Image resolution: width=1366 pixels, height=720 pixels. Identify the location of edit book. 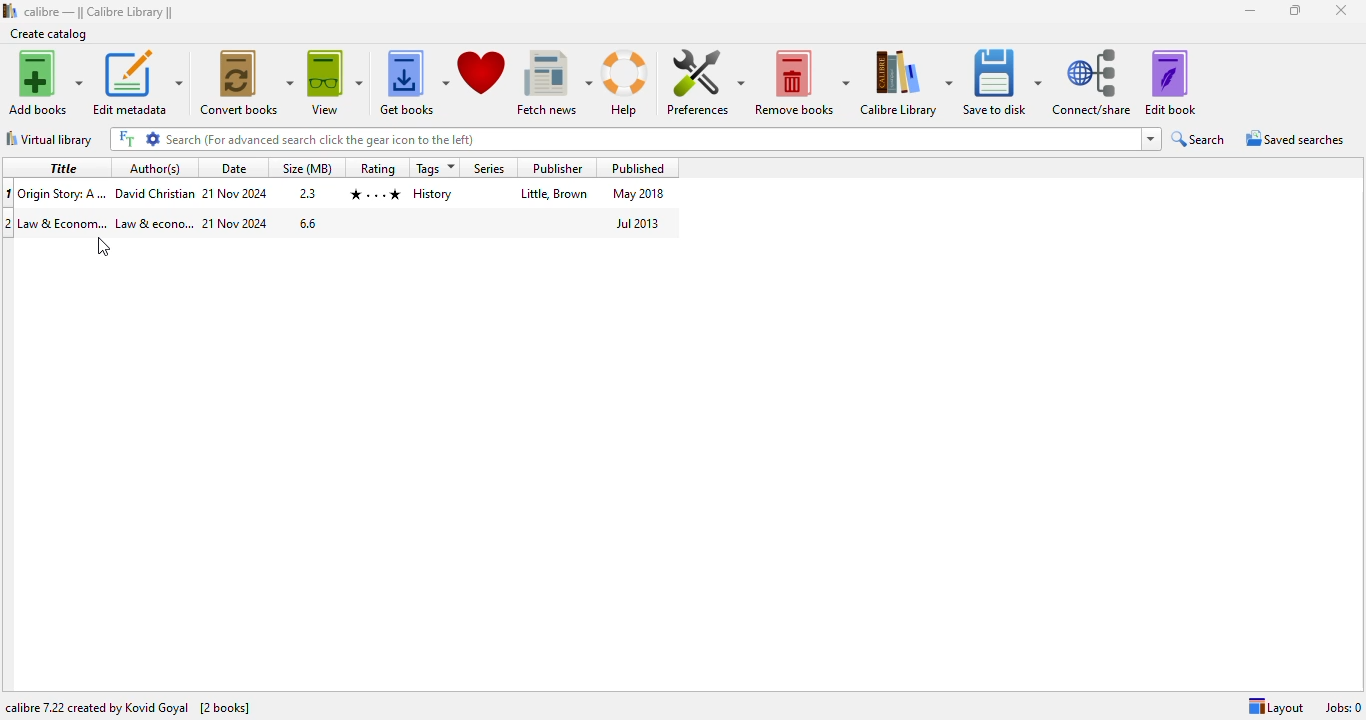
(1170, 82).